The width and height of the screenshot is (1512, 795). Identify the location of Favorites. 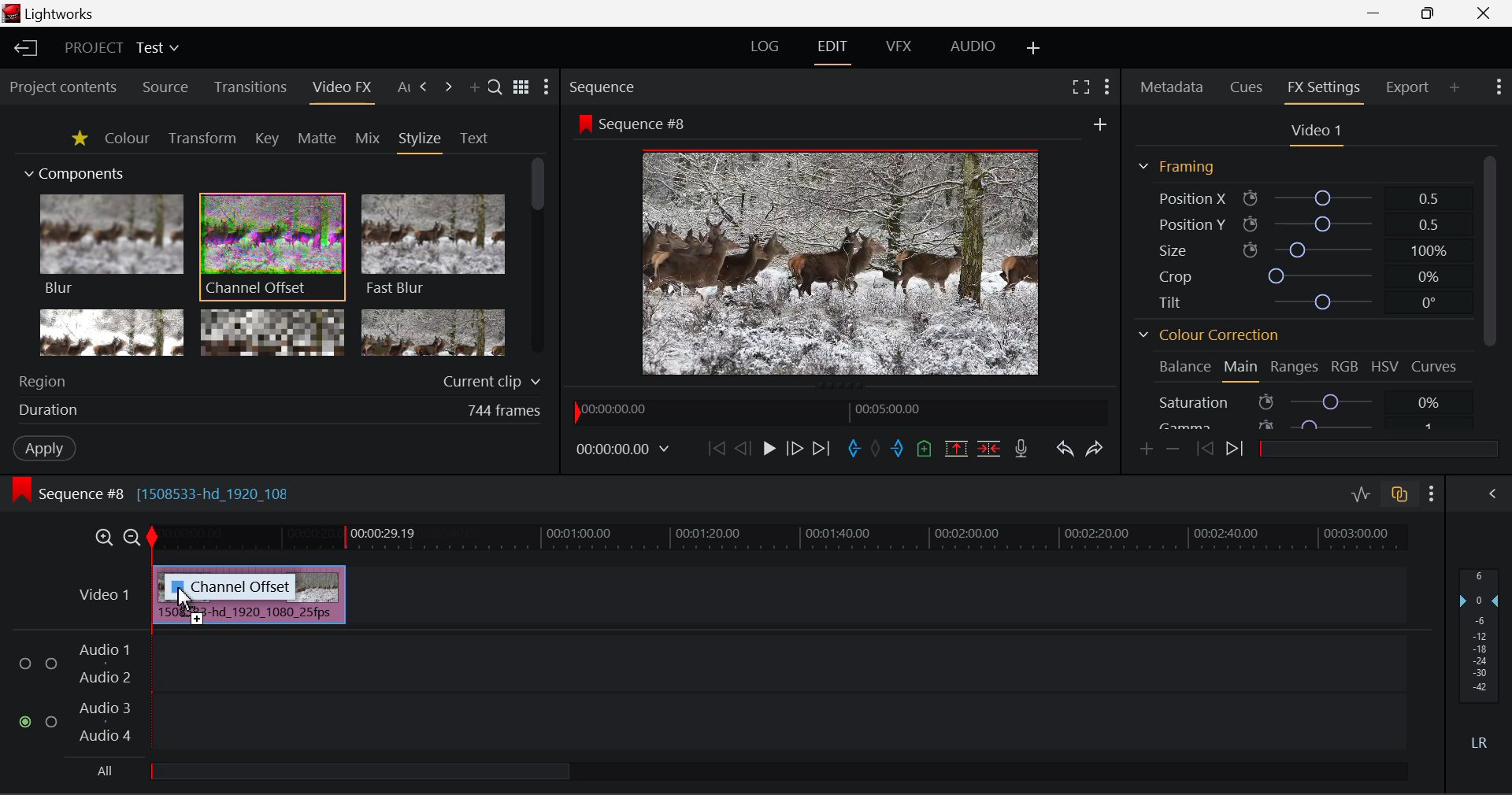
(79, 140).